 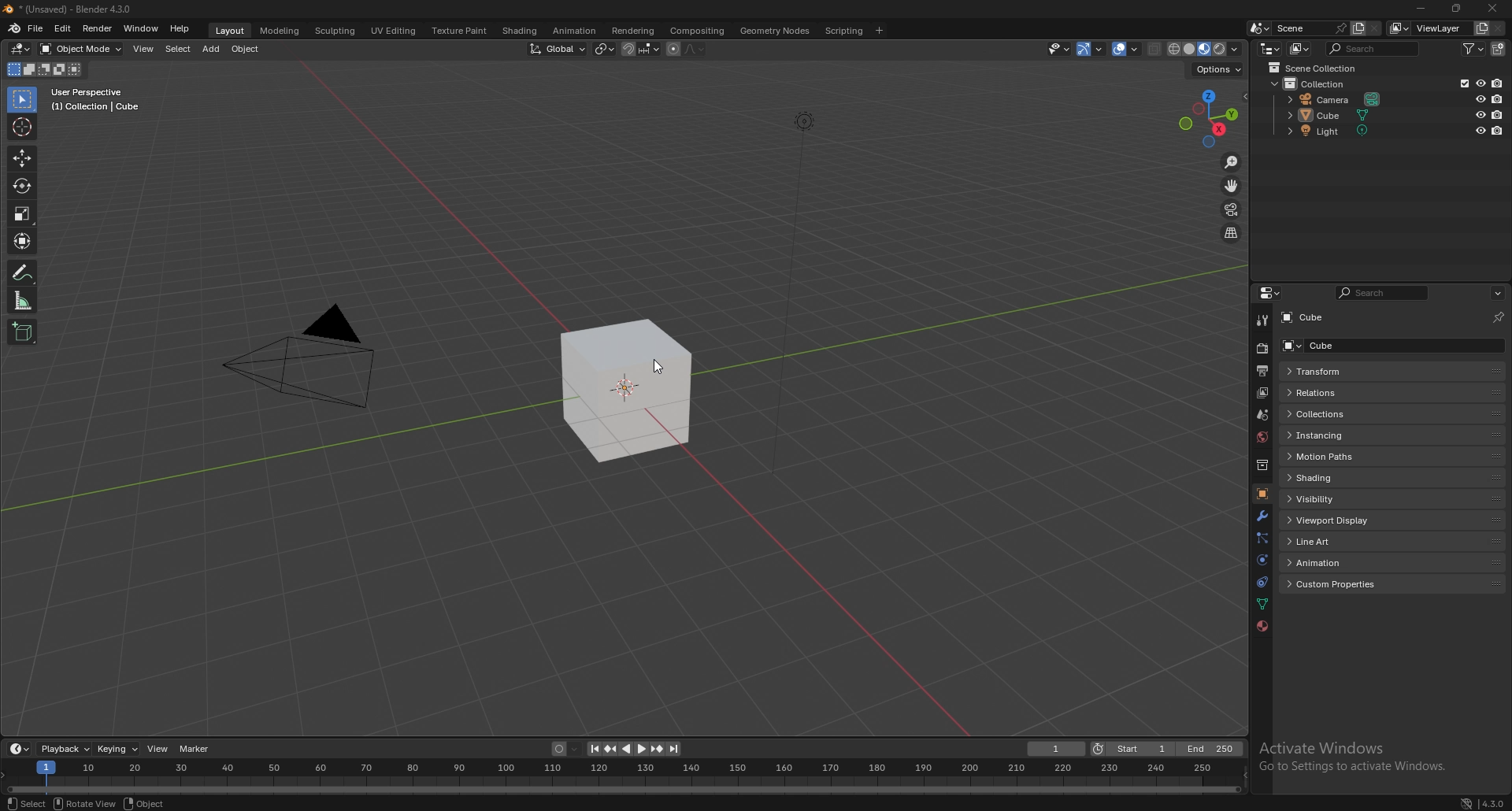 I want to click on options, so click(x=1498, y=293).